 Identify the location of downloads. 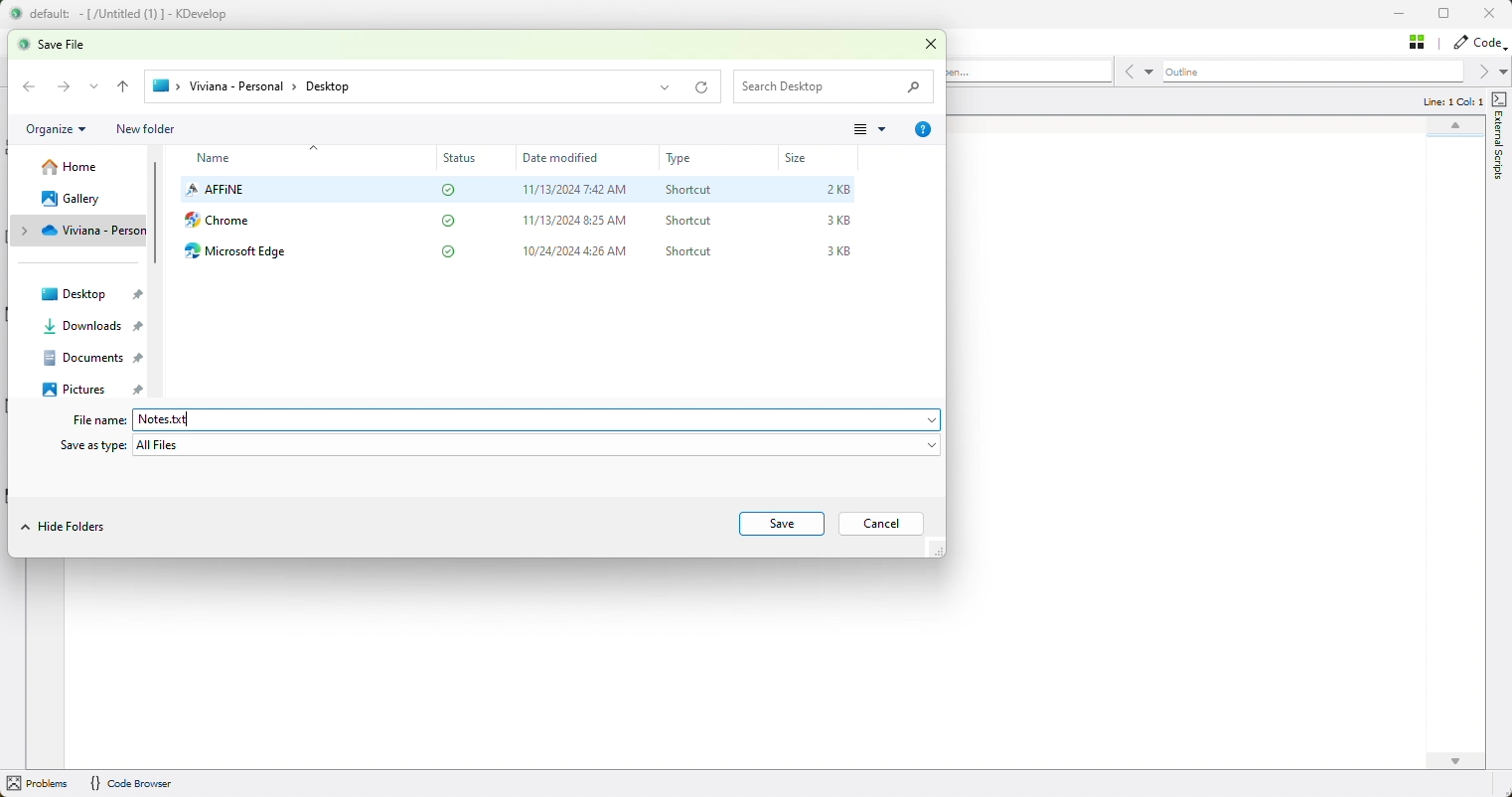
(96, 323).